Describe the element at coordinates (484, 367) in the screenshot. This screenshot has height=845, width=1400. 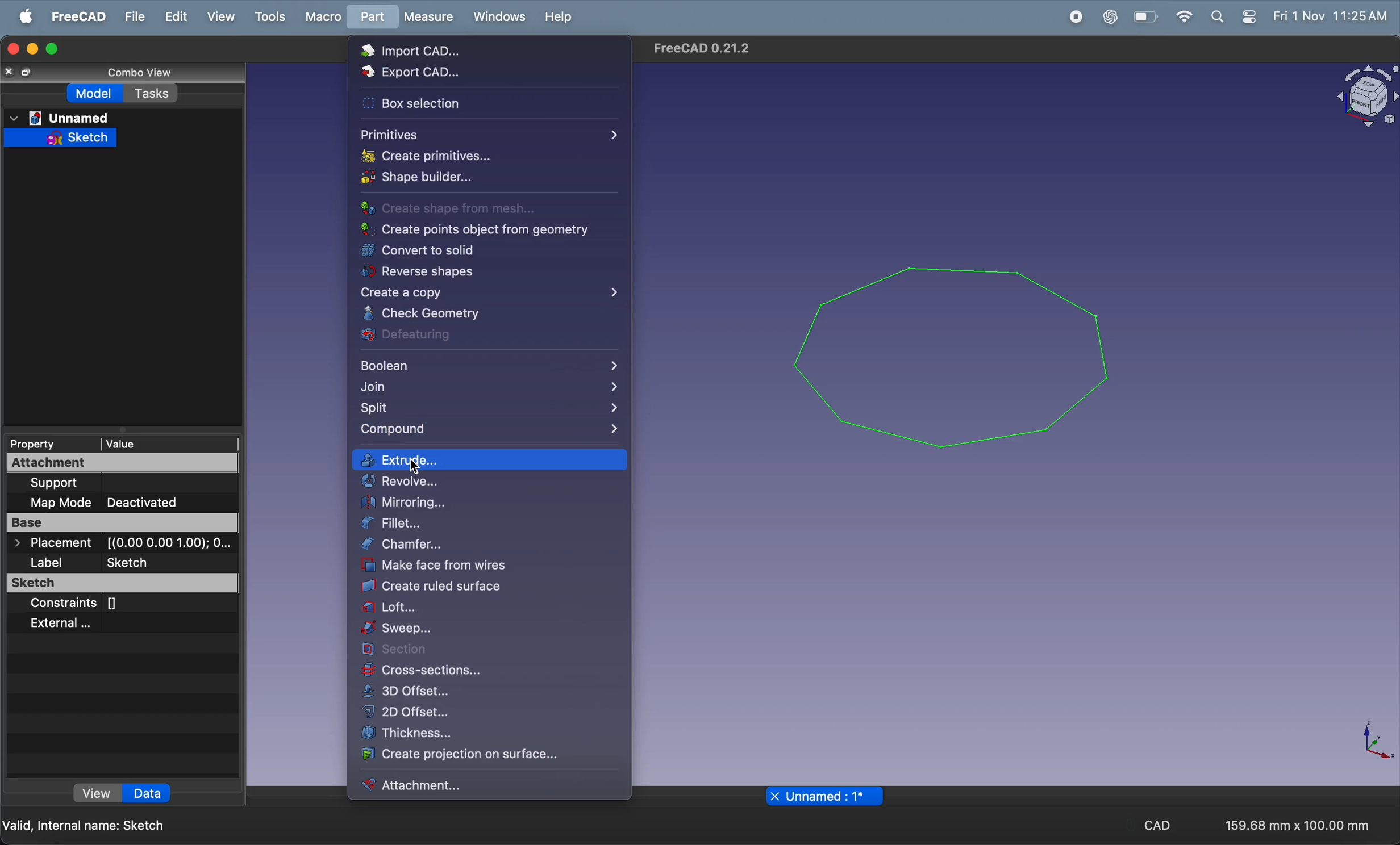
I see `boolean` at that location.